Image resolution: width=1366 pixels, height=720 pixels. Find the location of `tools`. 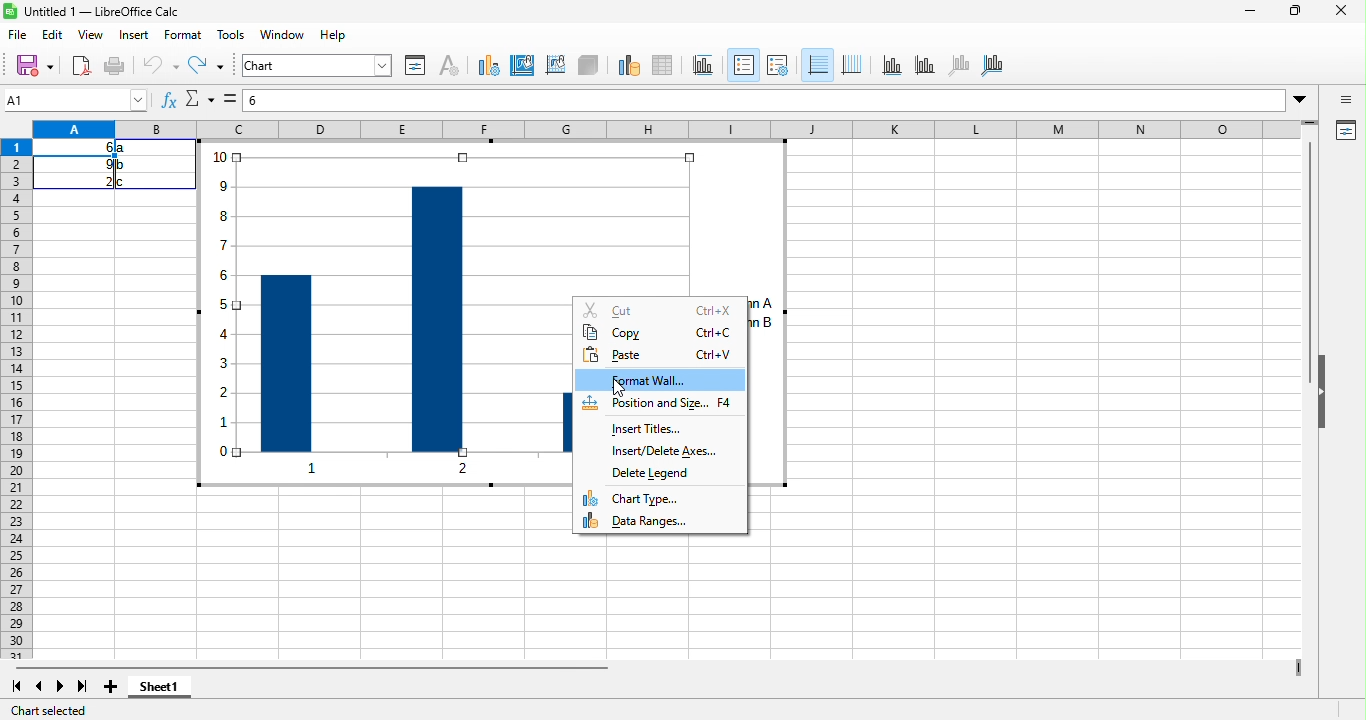

tools is located at coordinates (231, 36).